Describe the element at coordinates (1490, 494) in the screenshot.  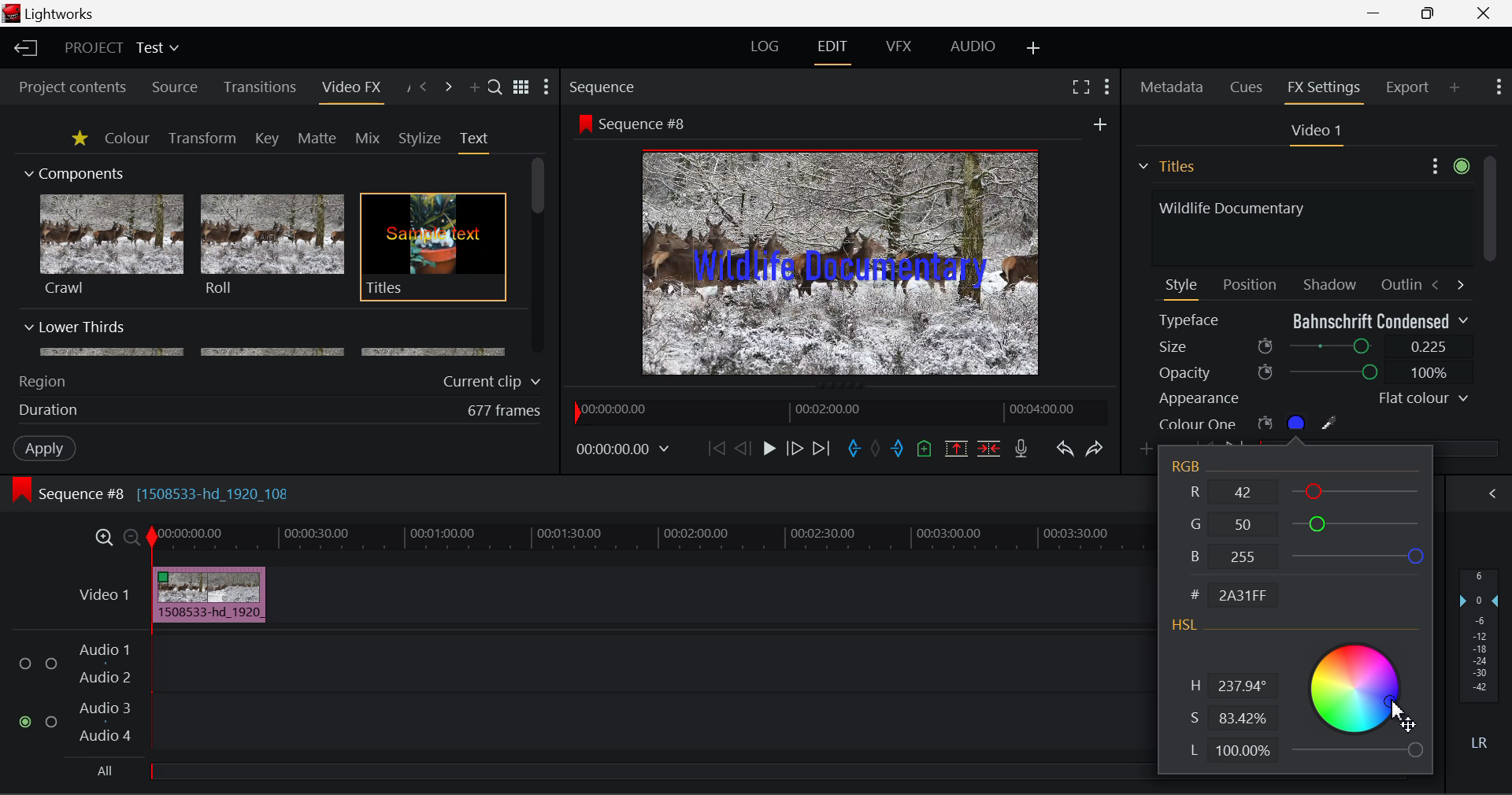
I see `Show Audio Mix` at that location.